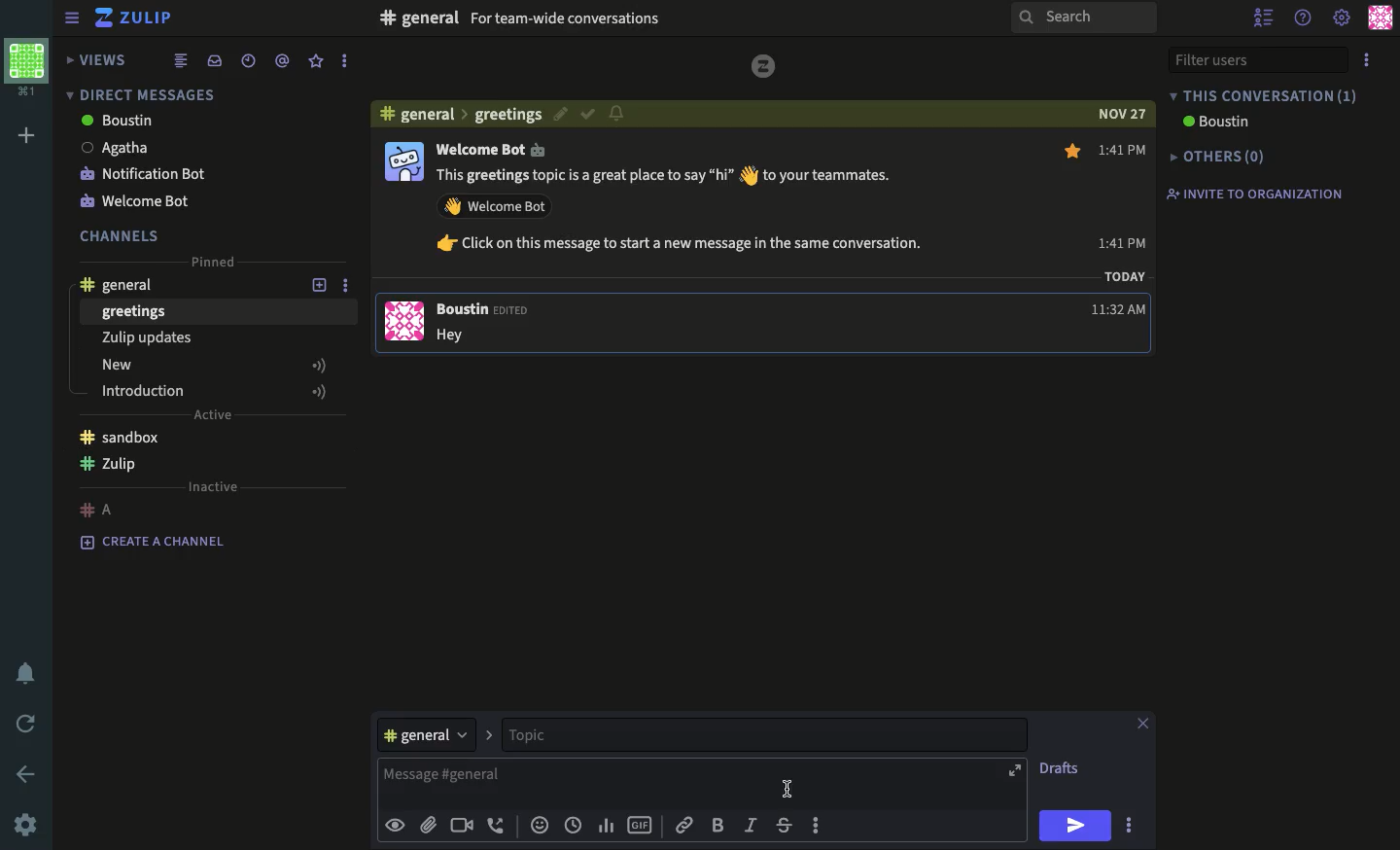 Image resolution: width=1400 pixels, height=850 pixels. I want to click on send, so click(1073, 826).